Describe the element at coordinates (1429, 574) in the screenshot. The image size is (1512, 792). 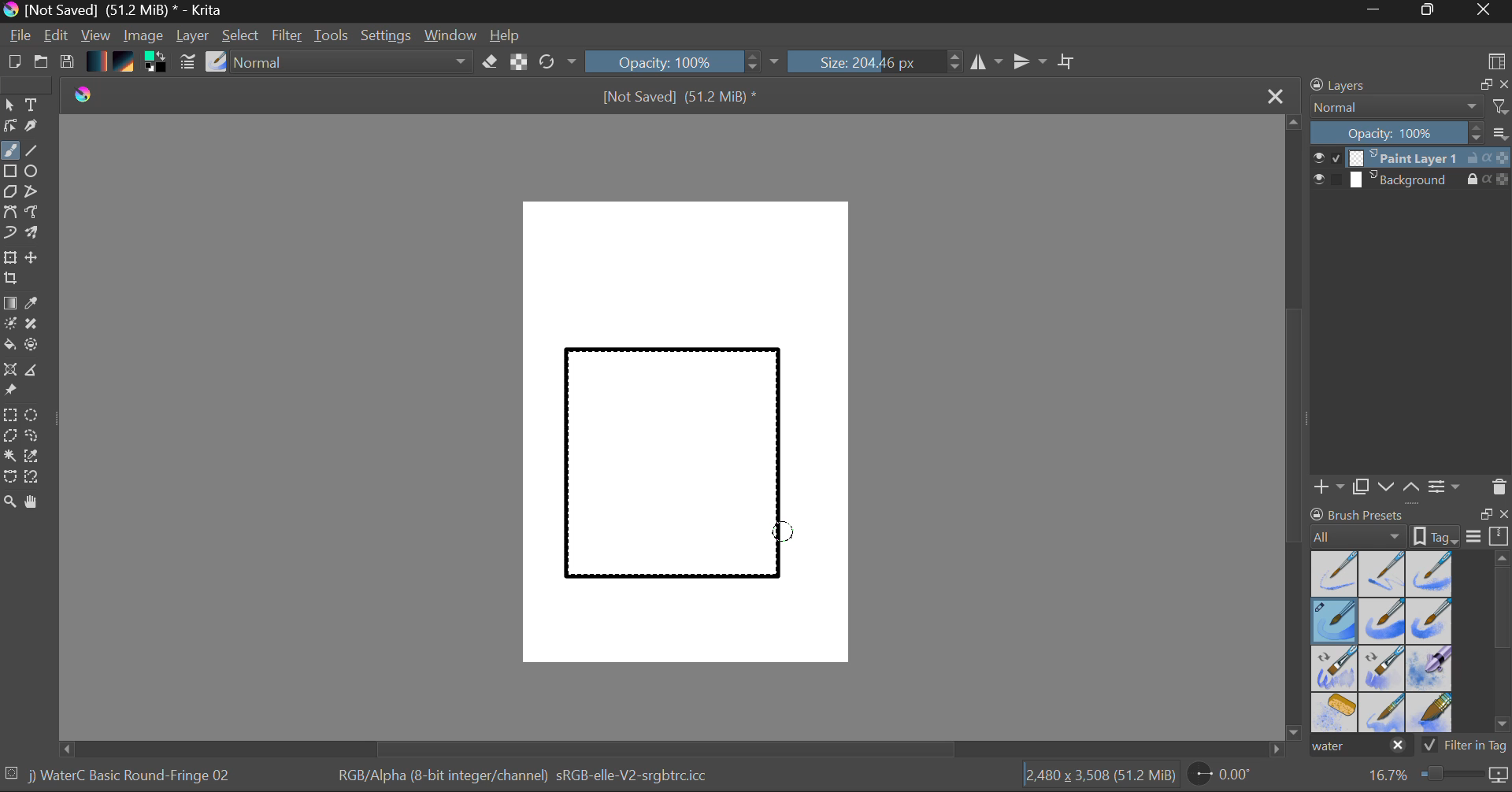
I see `Water C - Wet Pattern` at that location.